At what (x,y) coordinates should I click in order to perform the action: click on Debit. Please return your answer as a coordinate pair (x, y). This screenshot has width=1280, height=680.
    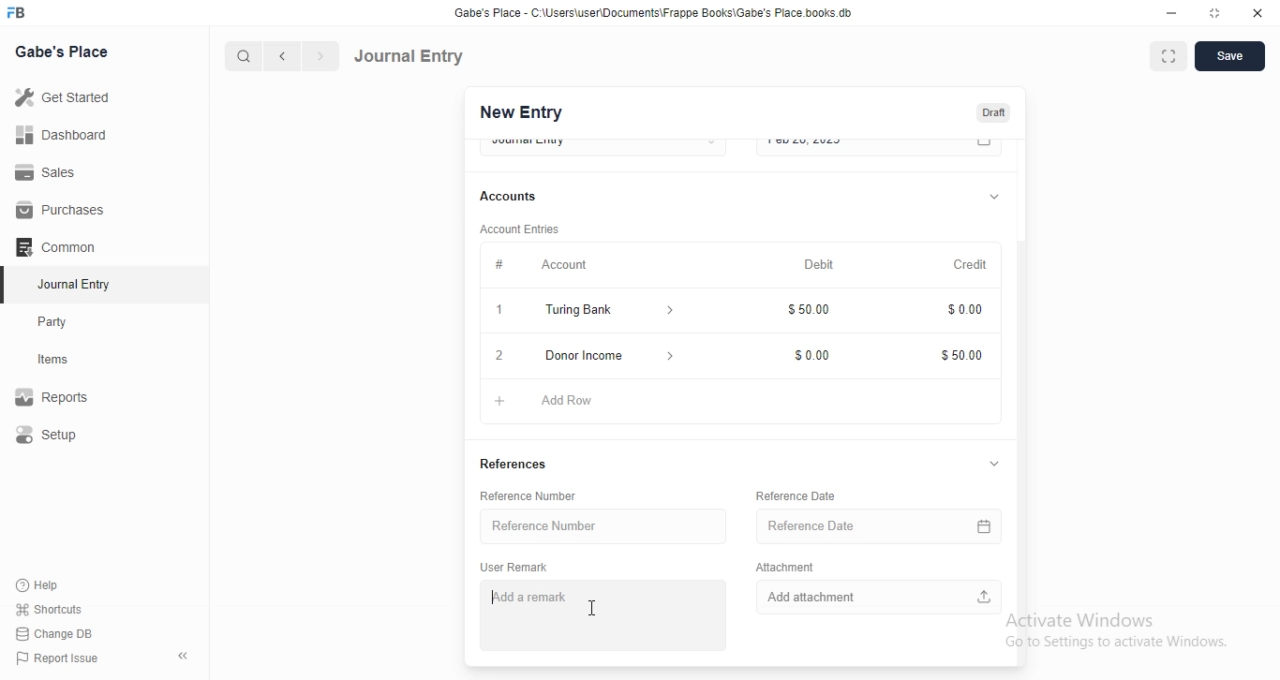
    Looking at the image, I should click on (820, 265).